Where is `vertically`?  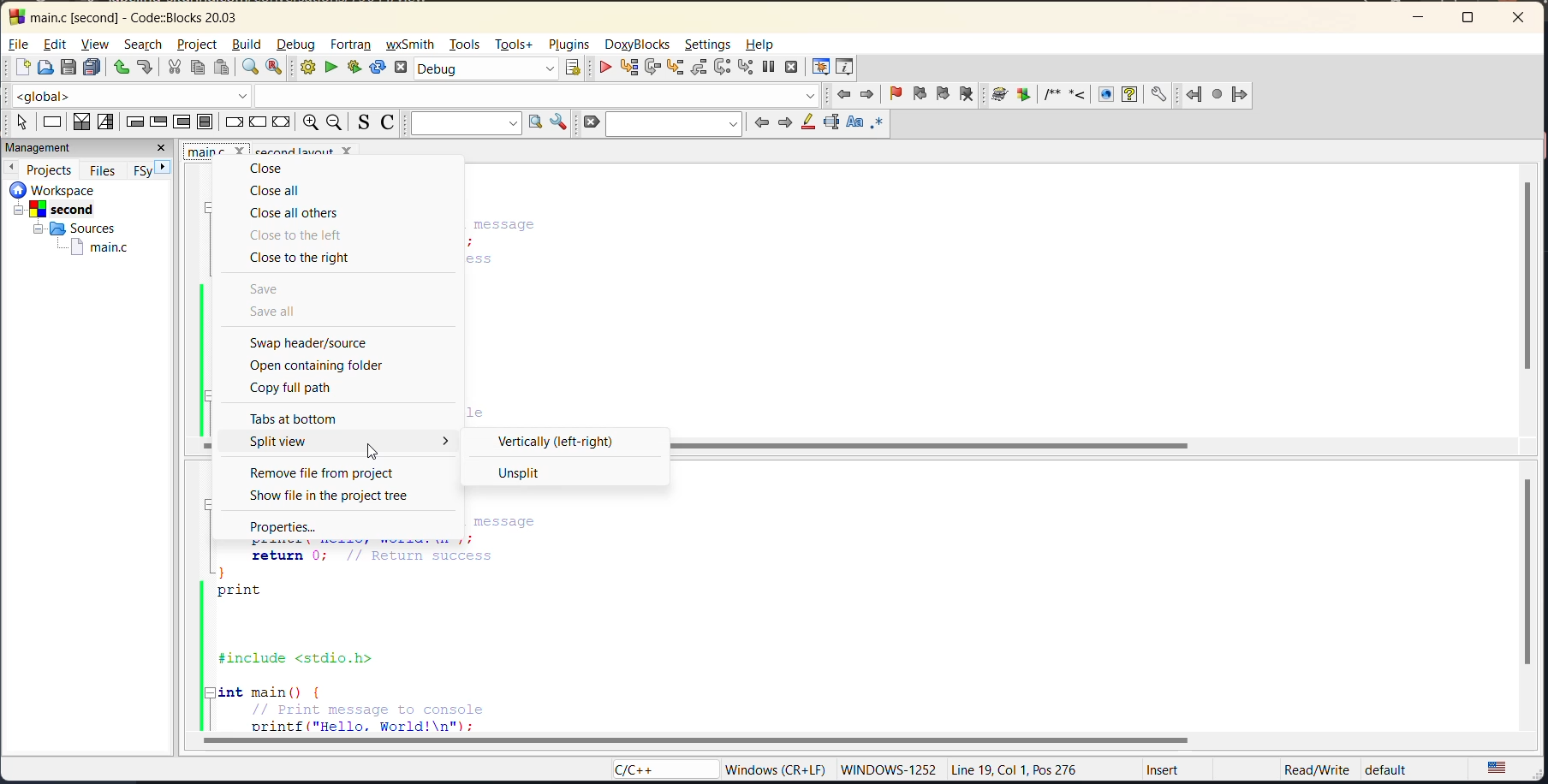
vertically is located at coordinates (564, 442).